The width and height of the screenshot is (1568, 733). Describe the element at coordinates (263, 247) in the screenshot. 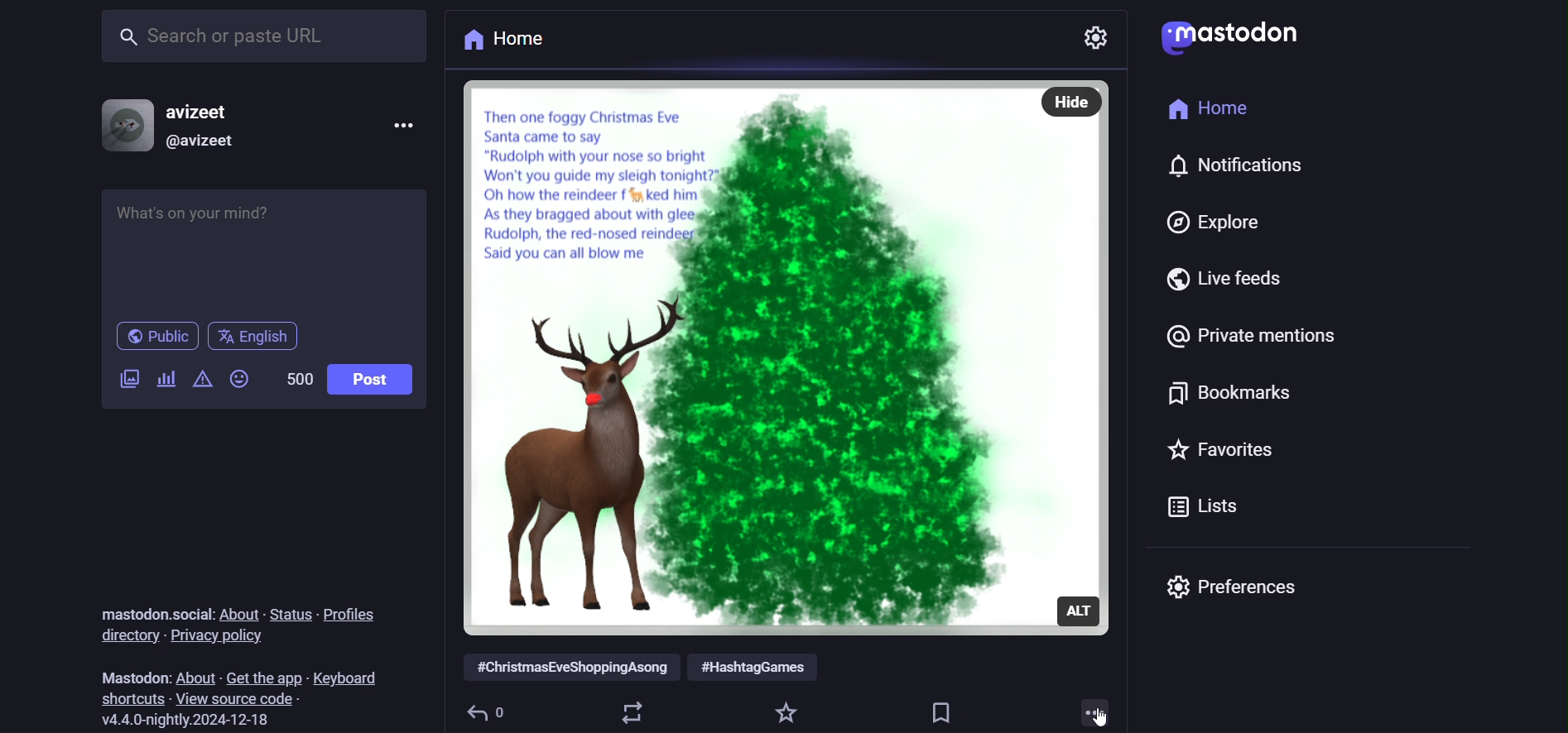

I see `post here` at that location.